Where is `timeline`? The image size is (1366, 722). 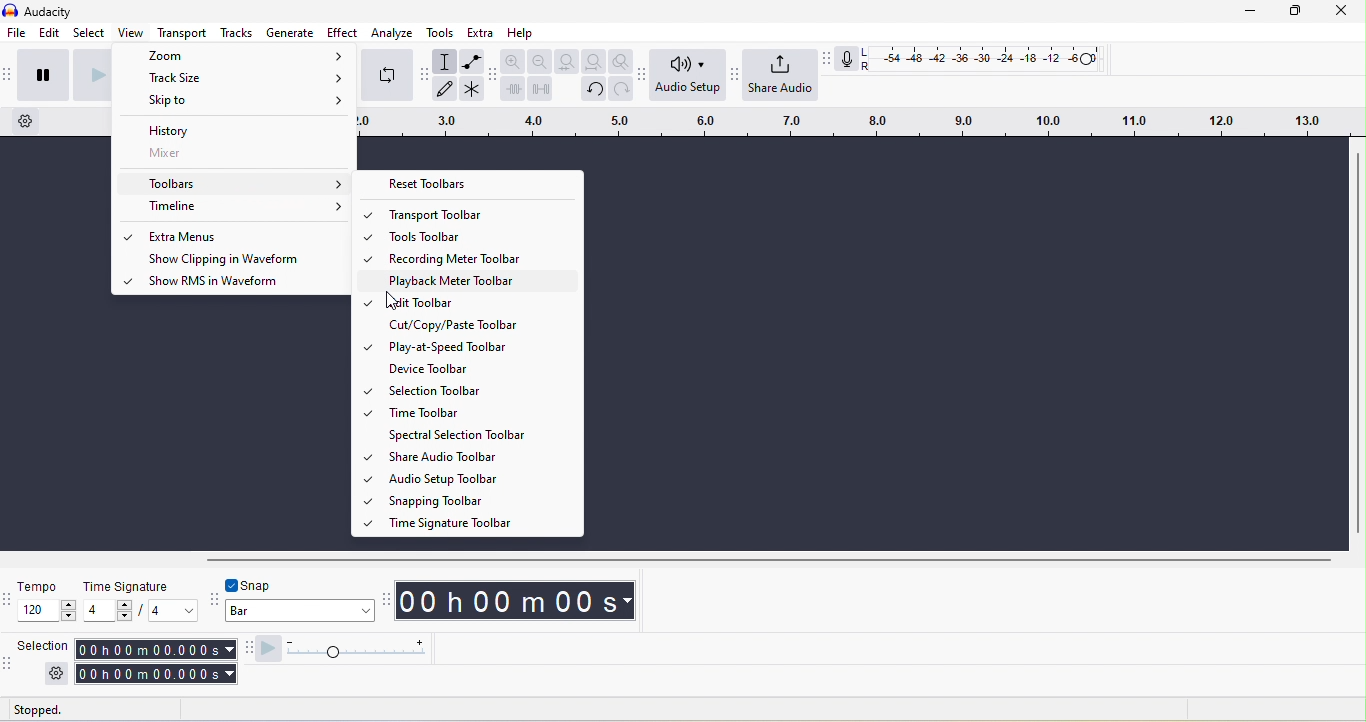 timeline is located at coordinates (857, 122).